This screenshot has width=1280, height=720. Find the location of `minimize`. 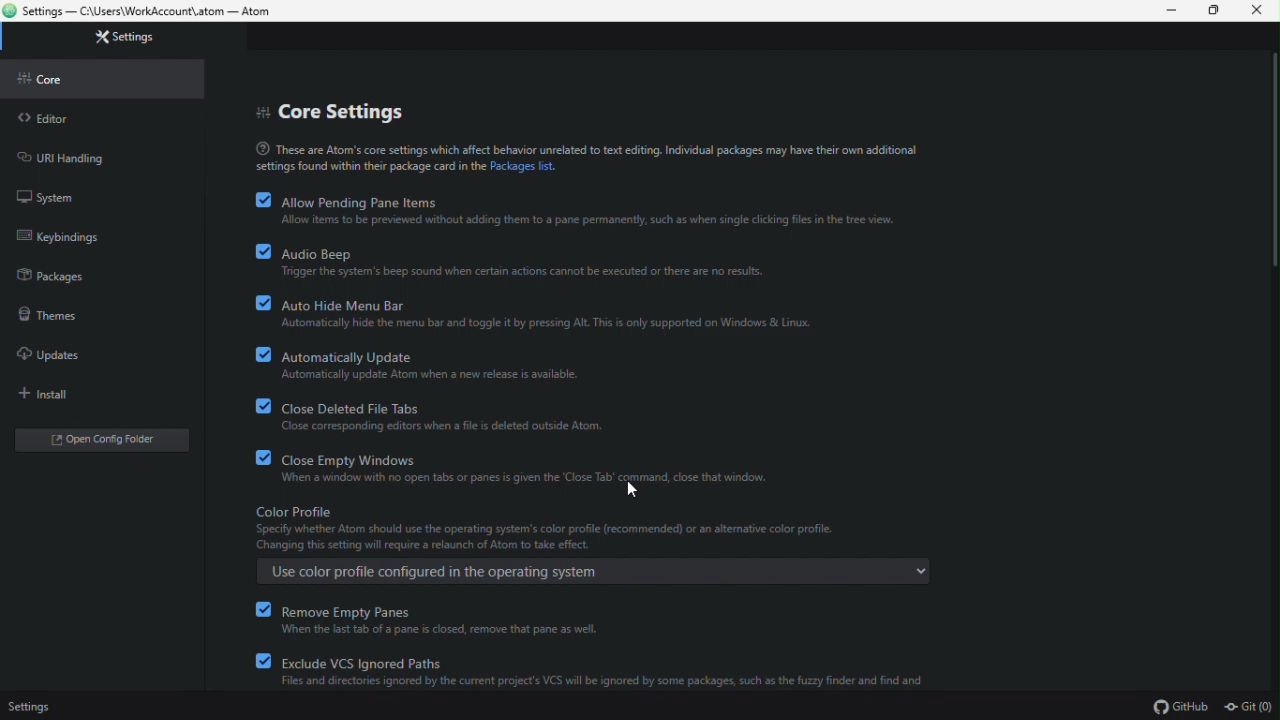

minimize is located at coordinates (1175, 11).